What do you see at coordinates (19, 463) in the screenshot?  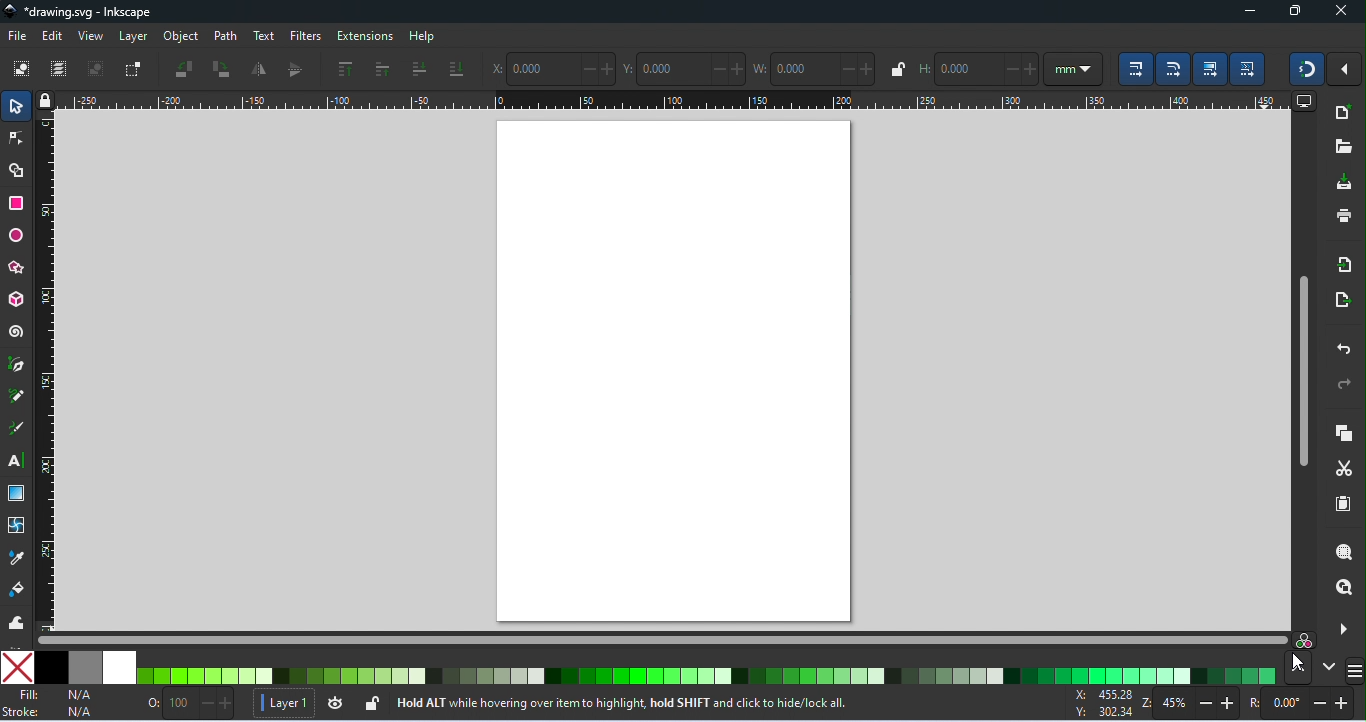 I see `text` at bounding box center [19, 463].